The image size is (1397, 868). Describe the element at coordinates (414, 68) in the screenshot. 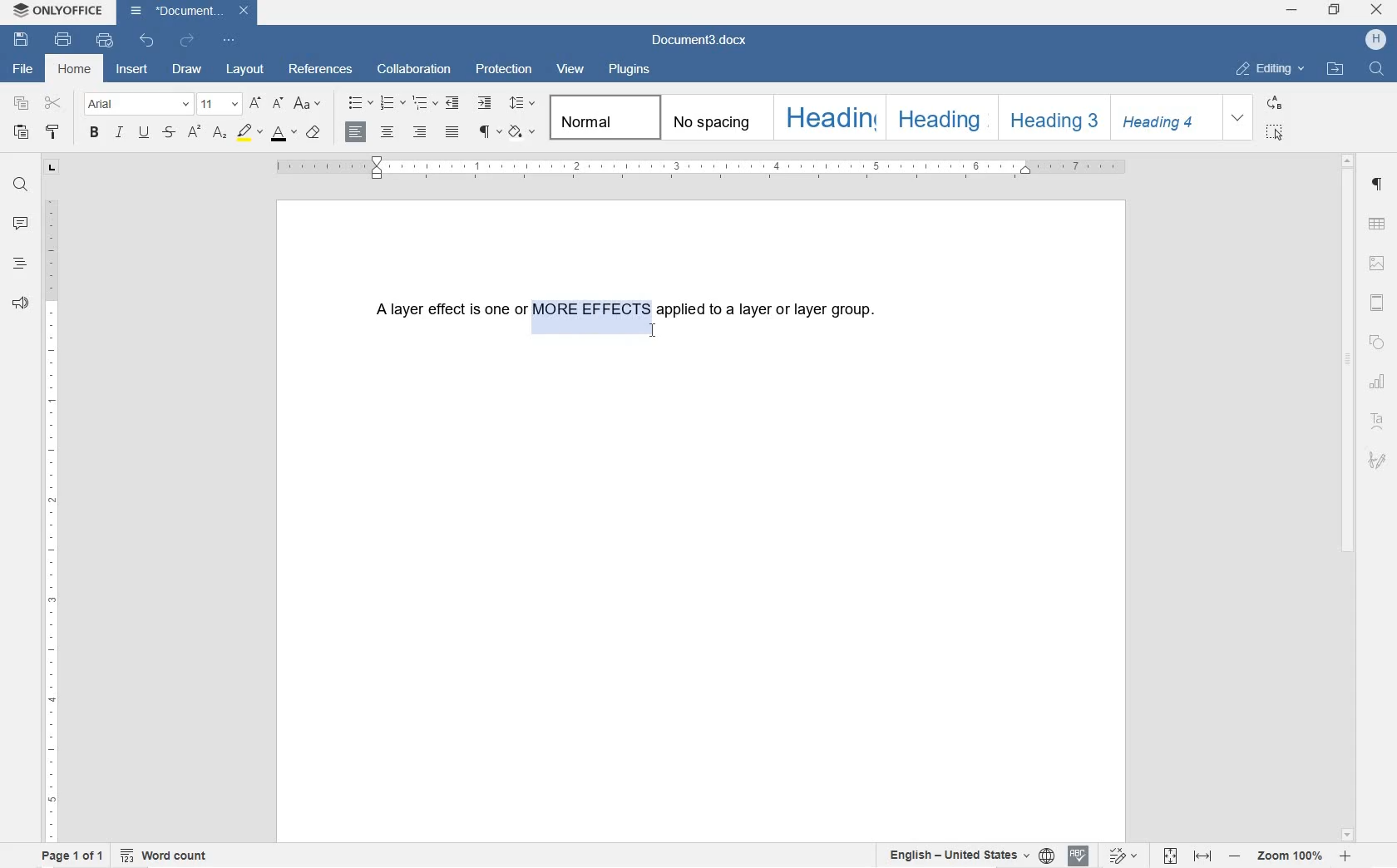

I see `COLLABORATION` at that location.